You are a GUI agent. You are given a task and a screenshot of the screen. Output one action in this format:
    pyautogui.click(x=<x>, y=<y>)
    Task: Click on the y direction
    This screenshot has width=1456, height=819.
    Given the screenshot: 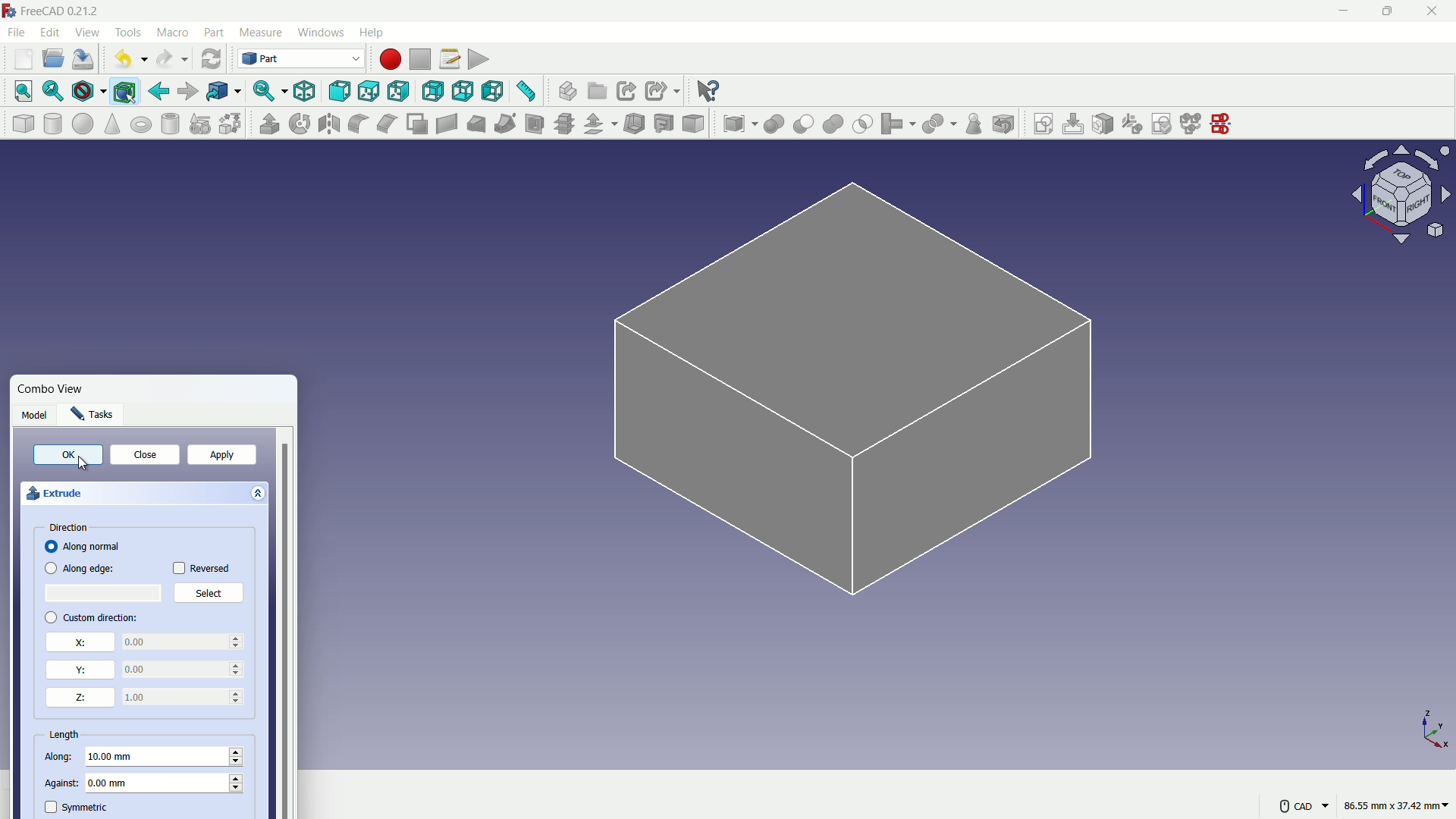 What is the action you would take?
    pyautogui.click(x=78, y=670)
    